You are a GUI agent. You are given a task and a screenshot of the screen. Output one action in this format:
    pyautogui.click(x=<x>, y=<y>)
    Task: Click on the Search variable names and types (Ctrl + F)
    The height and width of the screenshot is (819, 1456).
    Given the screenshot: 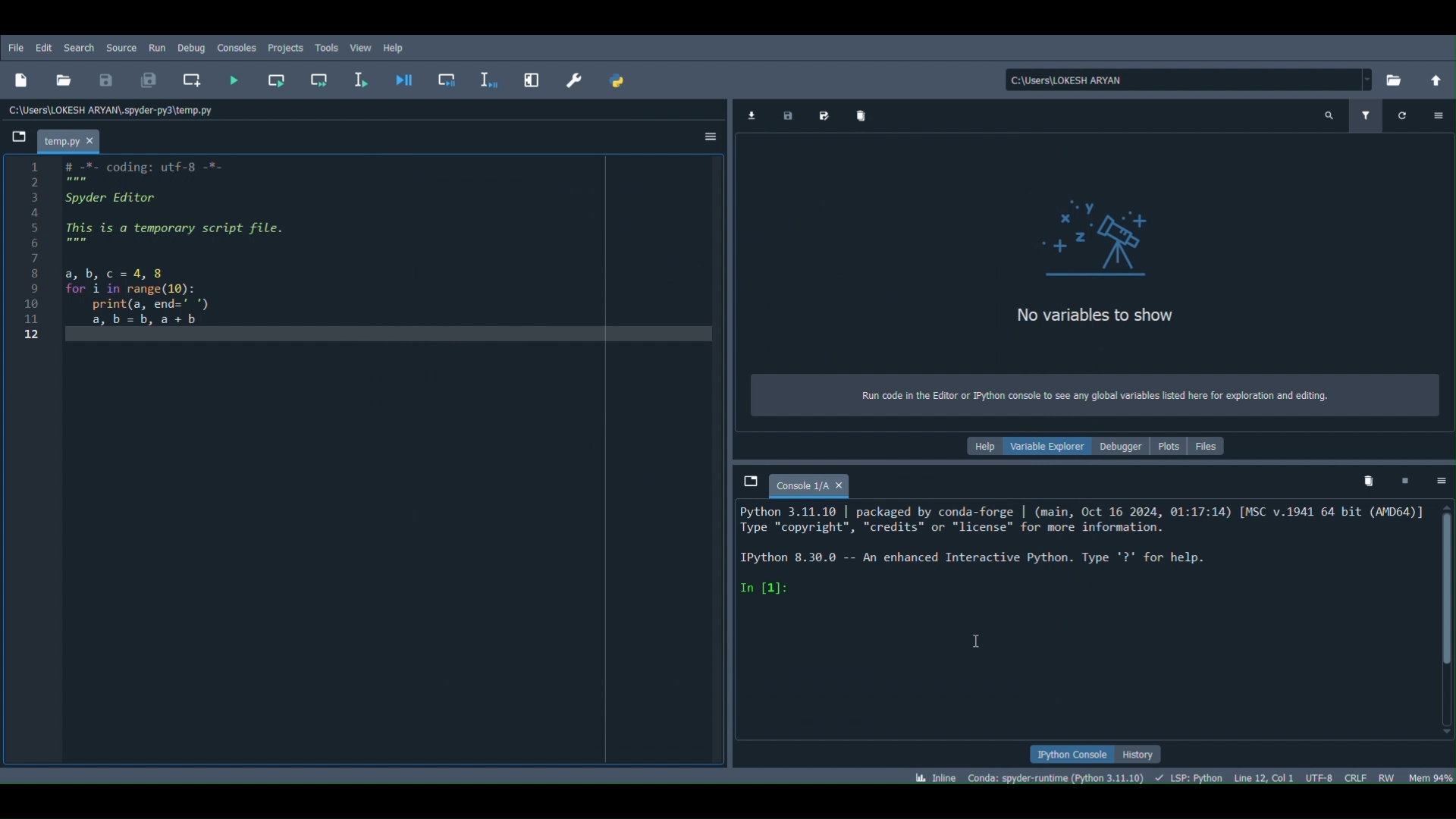 What is the action you would take?
    pyautogui.click(x=1329, y=115)
    